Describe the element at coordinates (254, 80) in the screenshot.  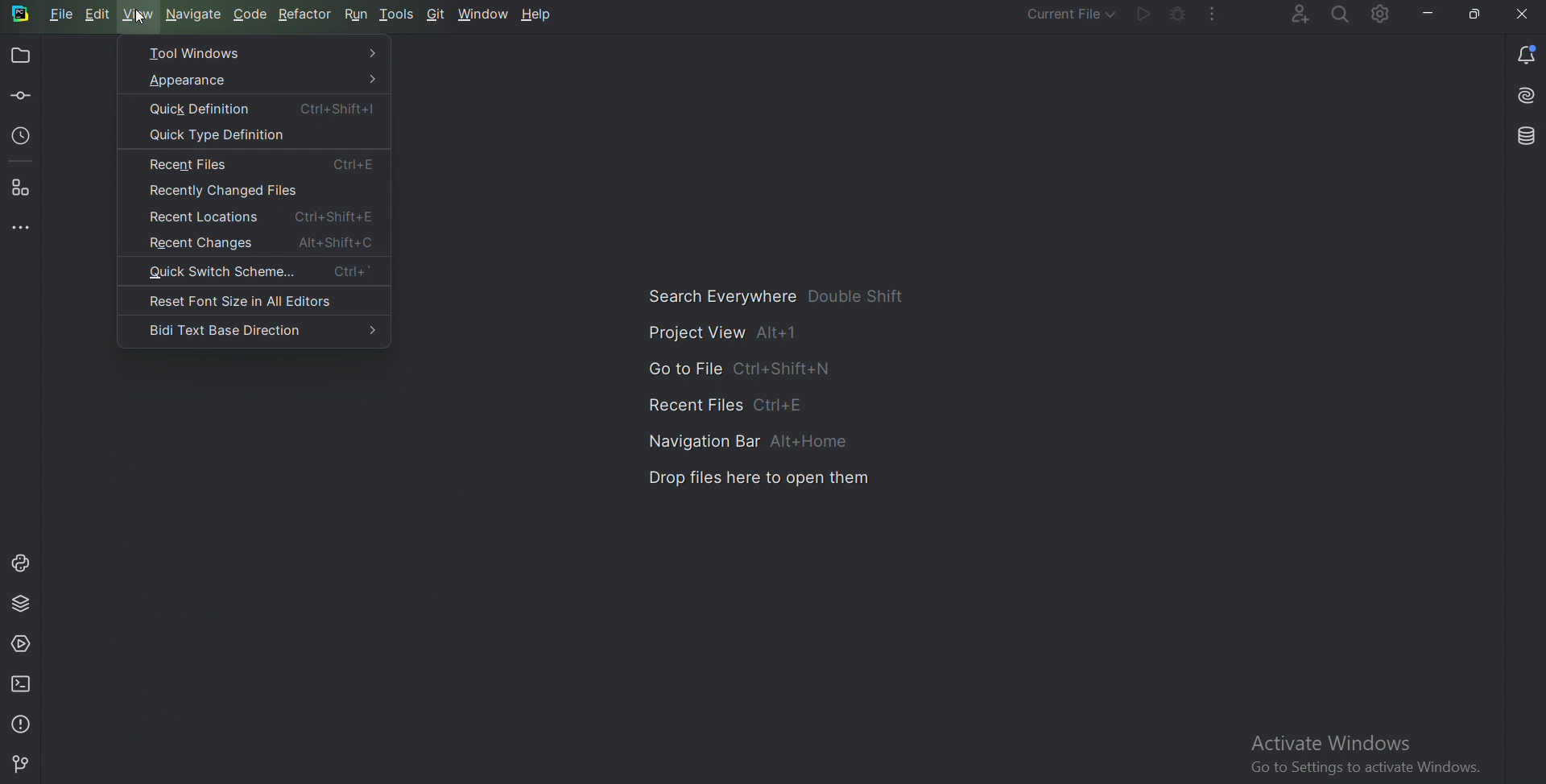
I see `Appearance` at that location.